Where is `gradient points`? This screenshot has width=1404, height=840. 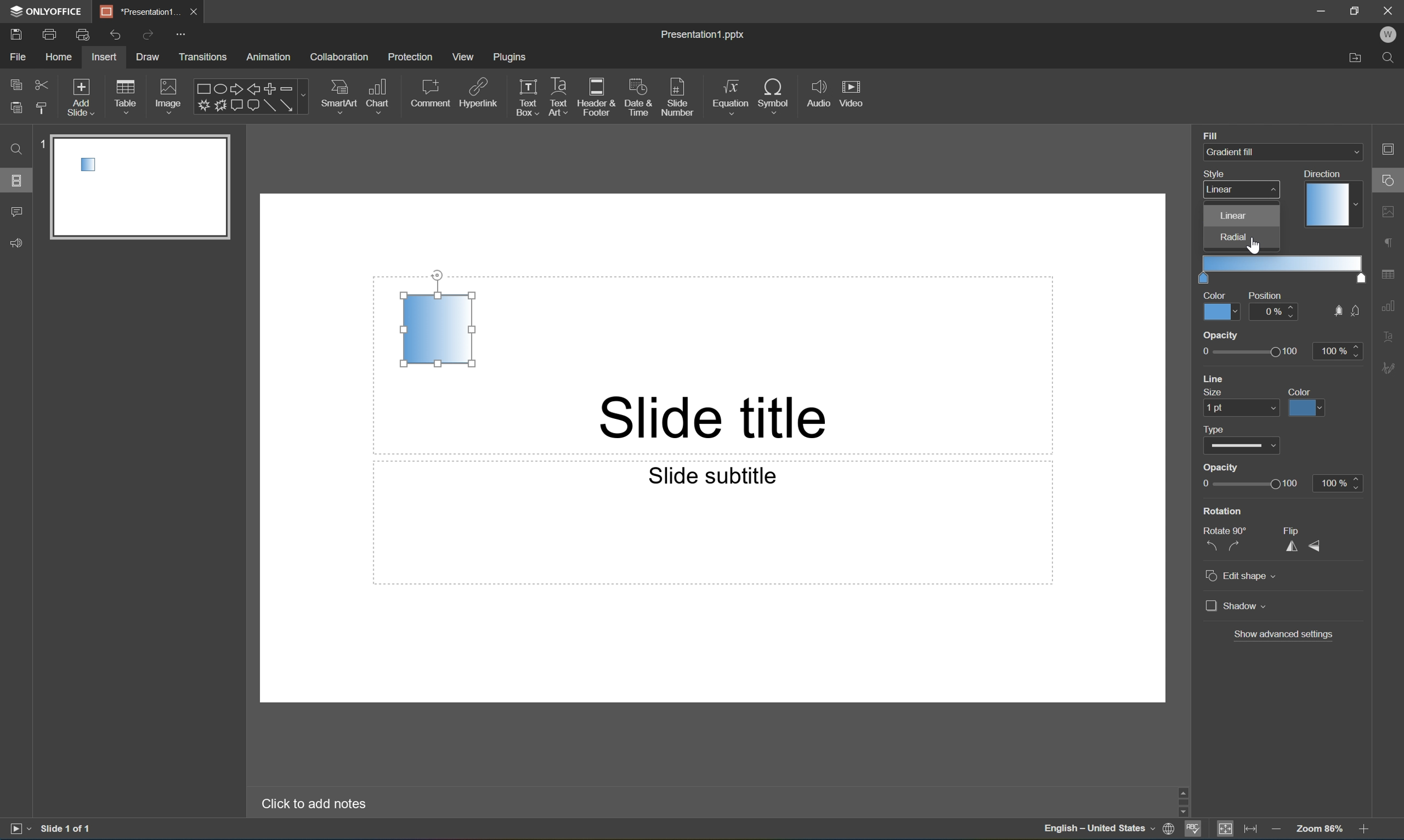 gradient points is located at coordinates (1282, 261).